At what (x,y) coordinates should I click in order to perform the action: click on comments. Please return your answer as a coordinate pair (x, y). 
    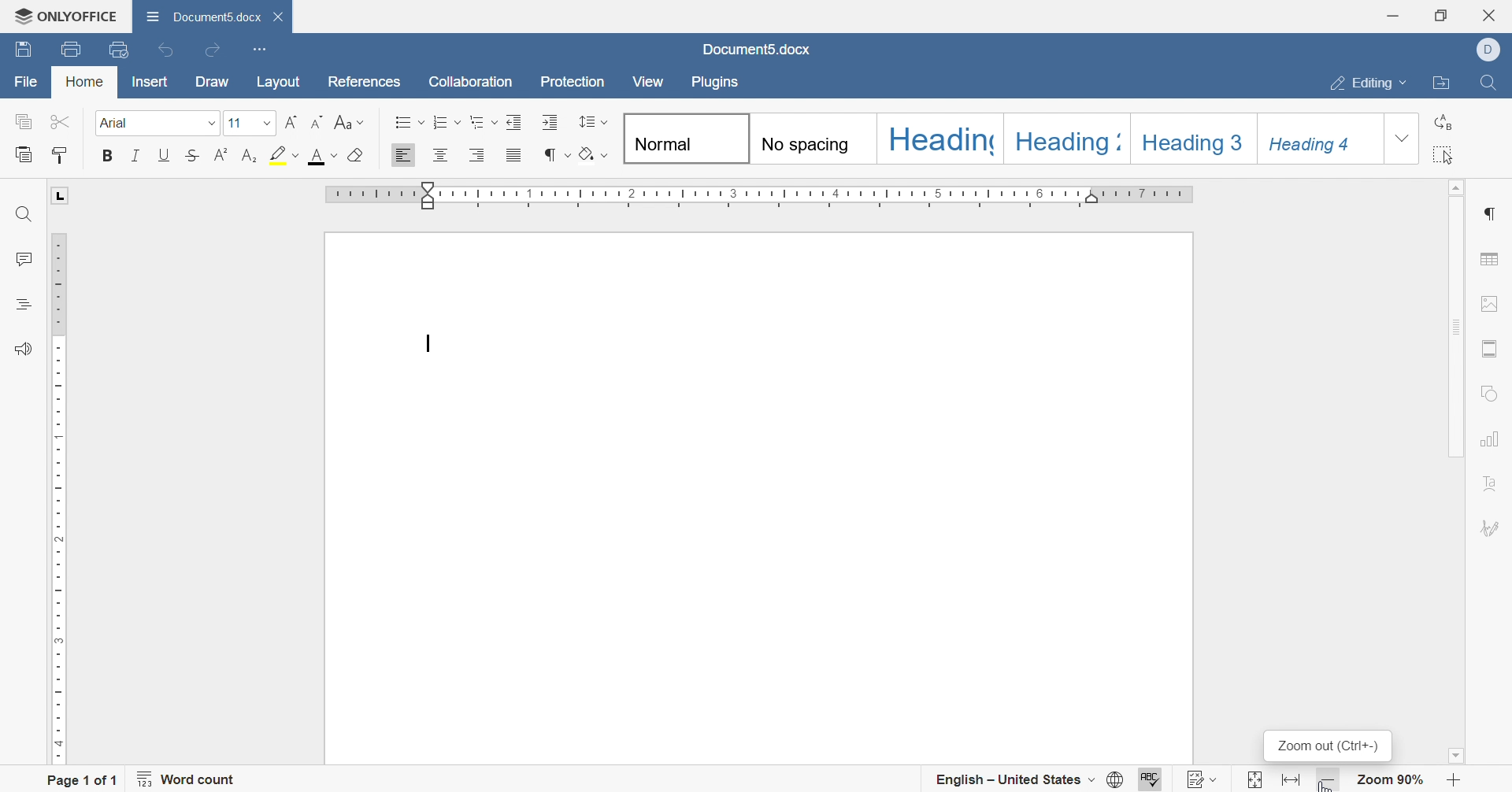
    Looking at the image, I should click on (22, 261).